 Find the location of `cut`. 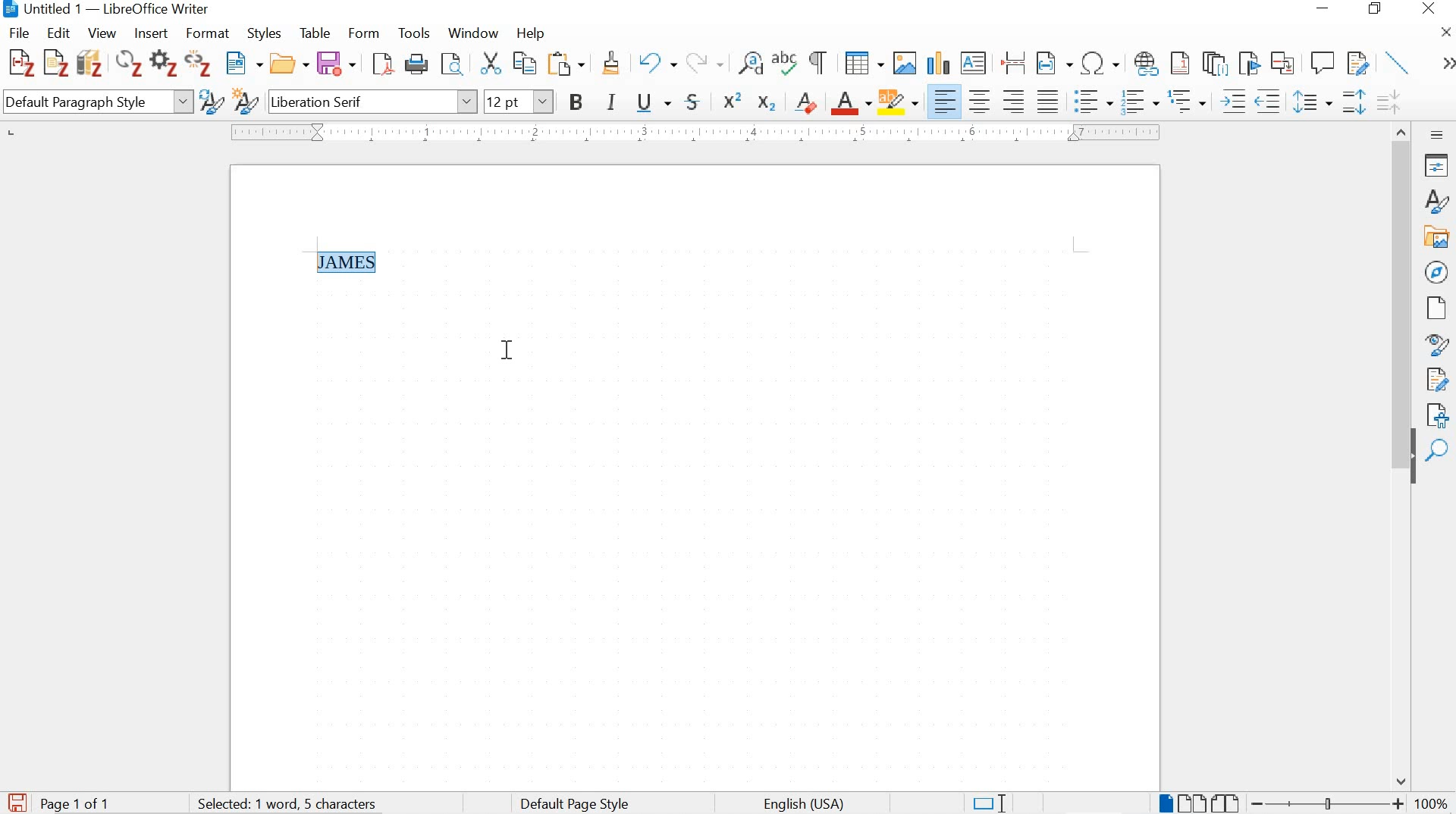

cut is located at coordinates (490, 65).